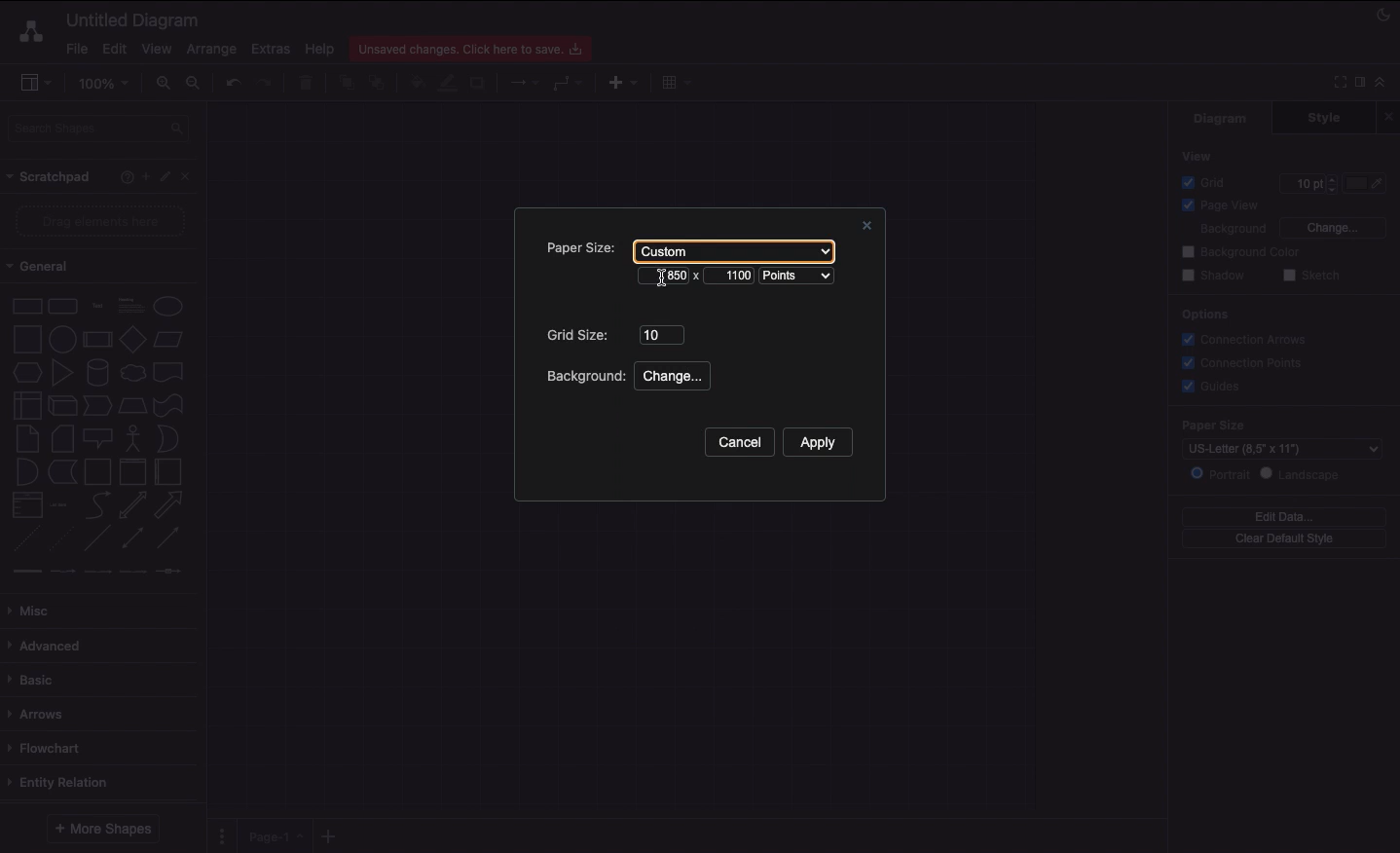 This screenshot has height=853, width=1400. I want to click on Help, so click(123, 176).